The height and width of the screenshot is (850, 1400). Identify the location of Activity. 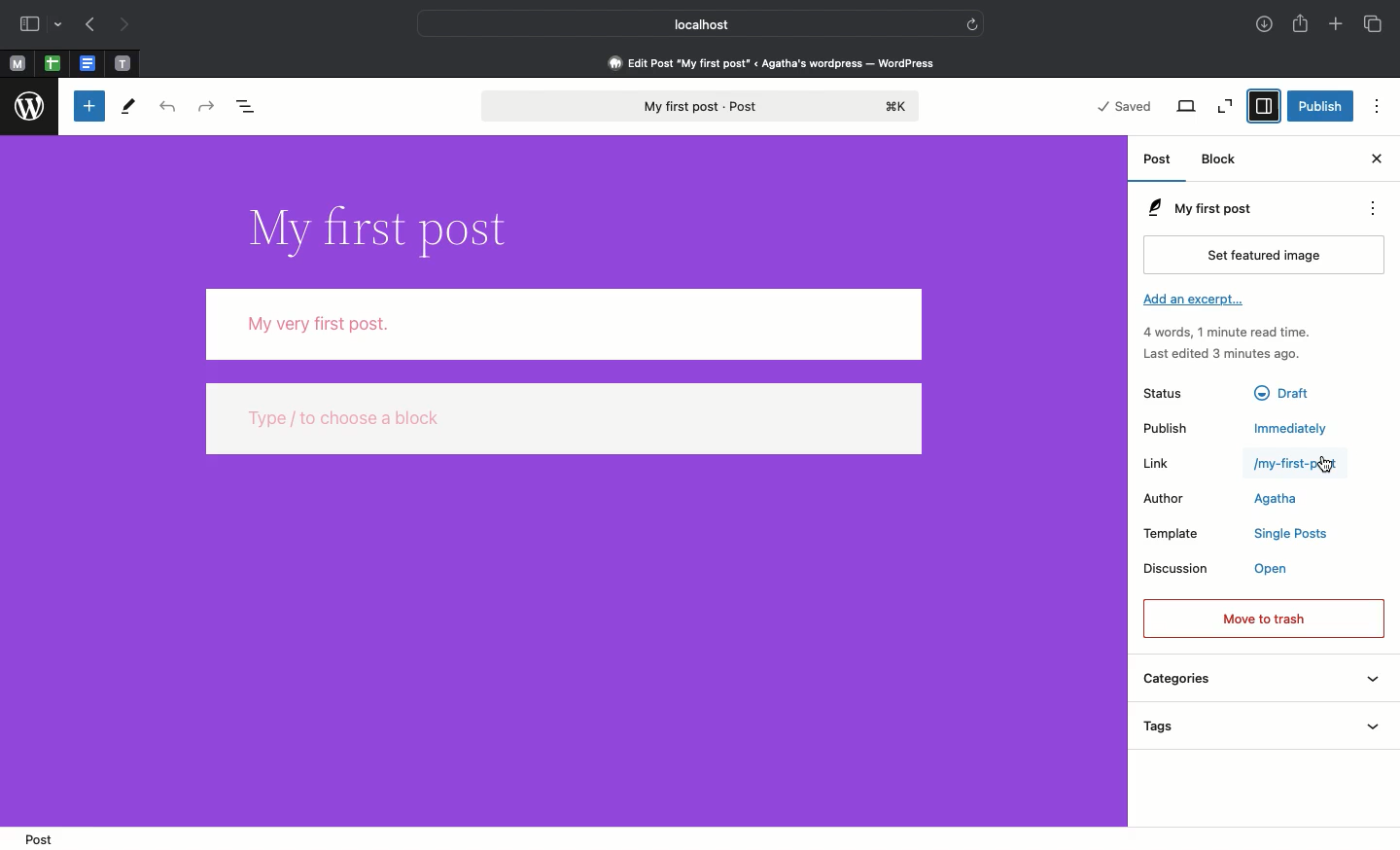
(1233, 341).